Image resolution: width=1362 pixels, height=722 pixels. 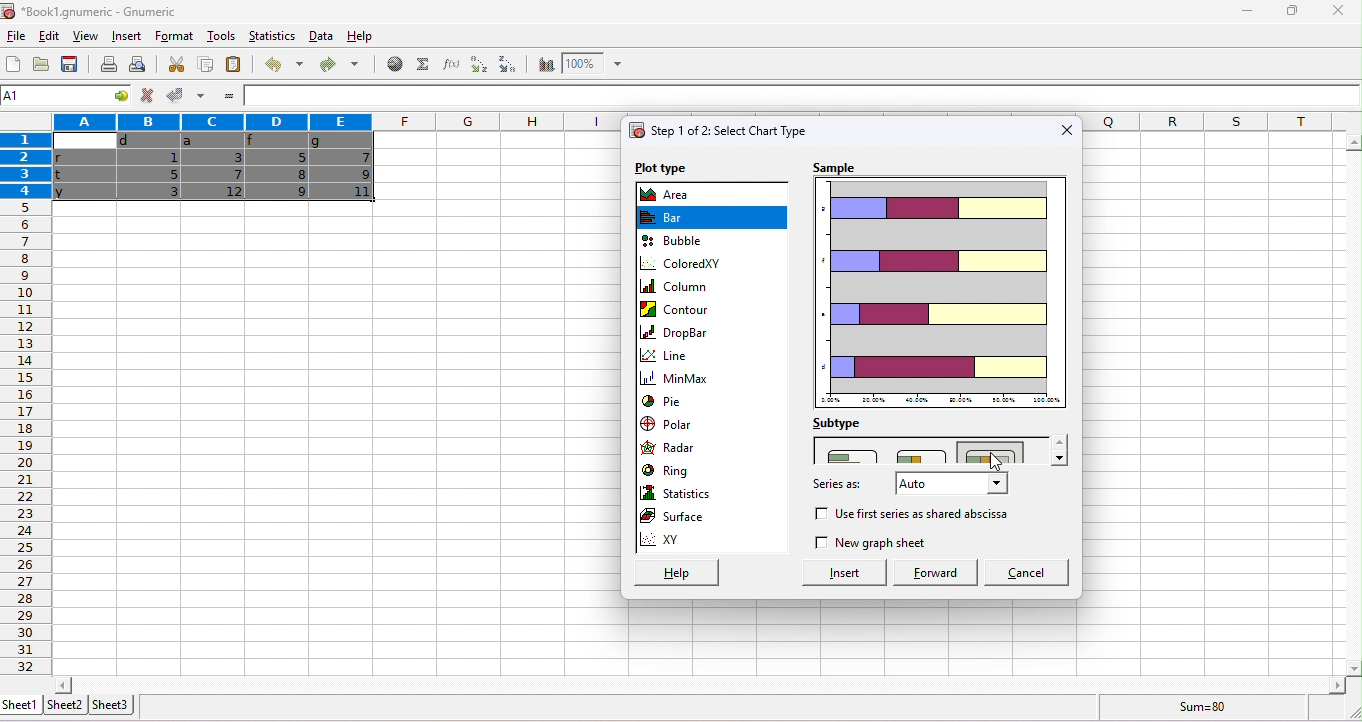 What do you see at coordinates (25, 167) in the screenshot?
I see `rows` at bounding box center [25, 167].